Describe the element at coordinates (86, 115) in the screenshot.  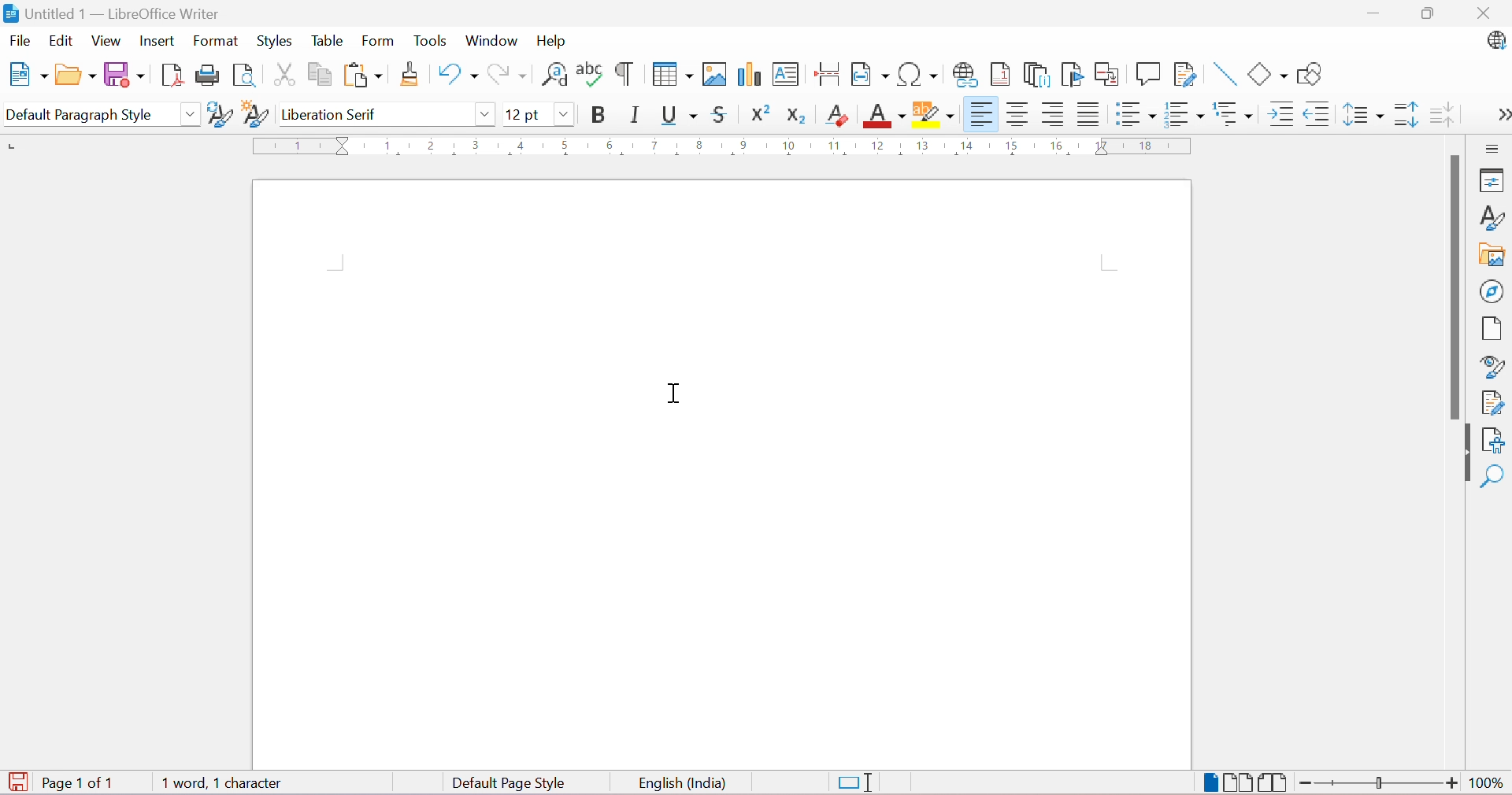
I see `Default Paragraph Style` at that location.